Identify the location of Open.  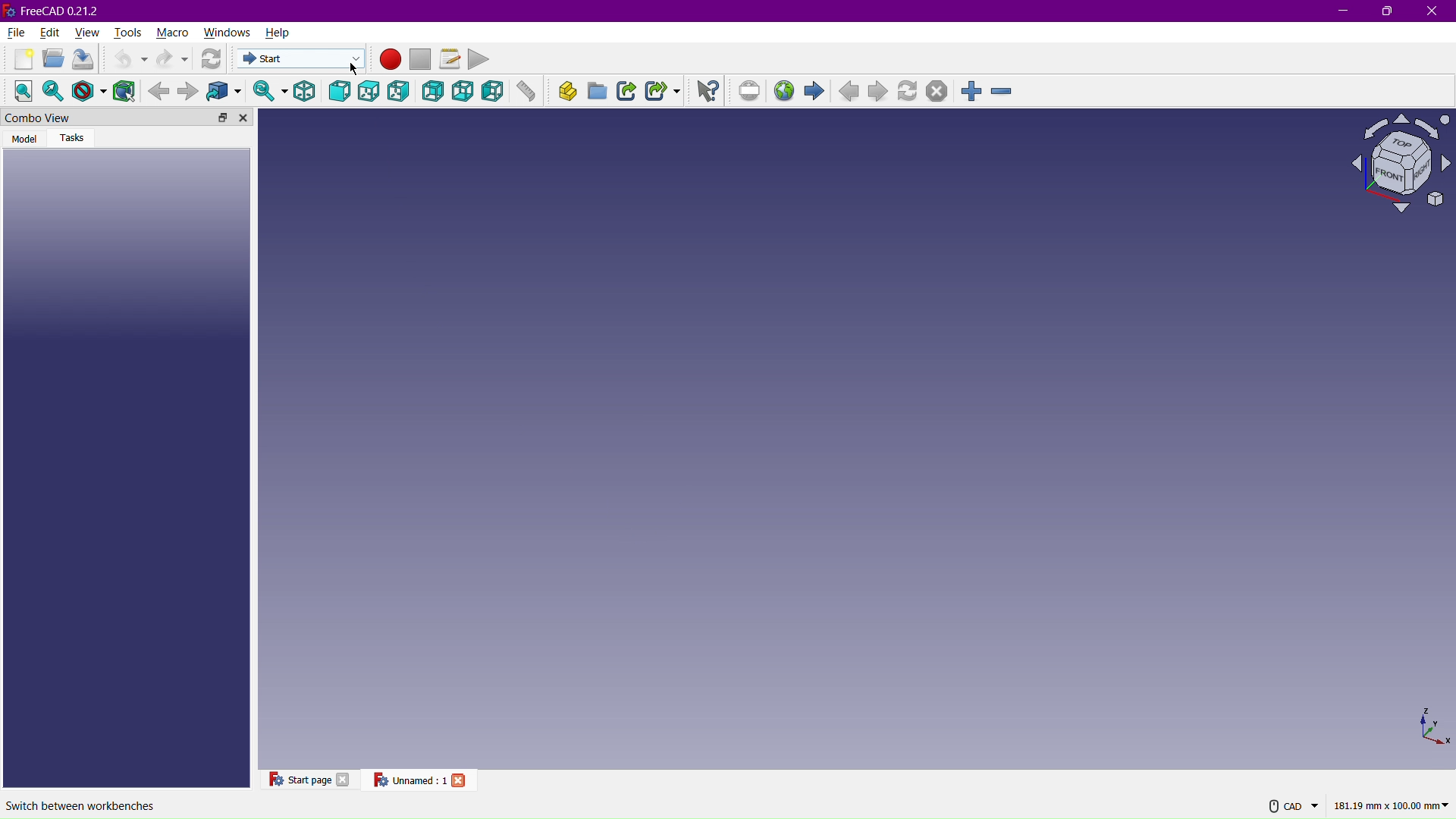
(55, 58).